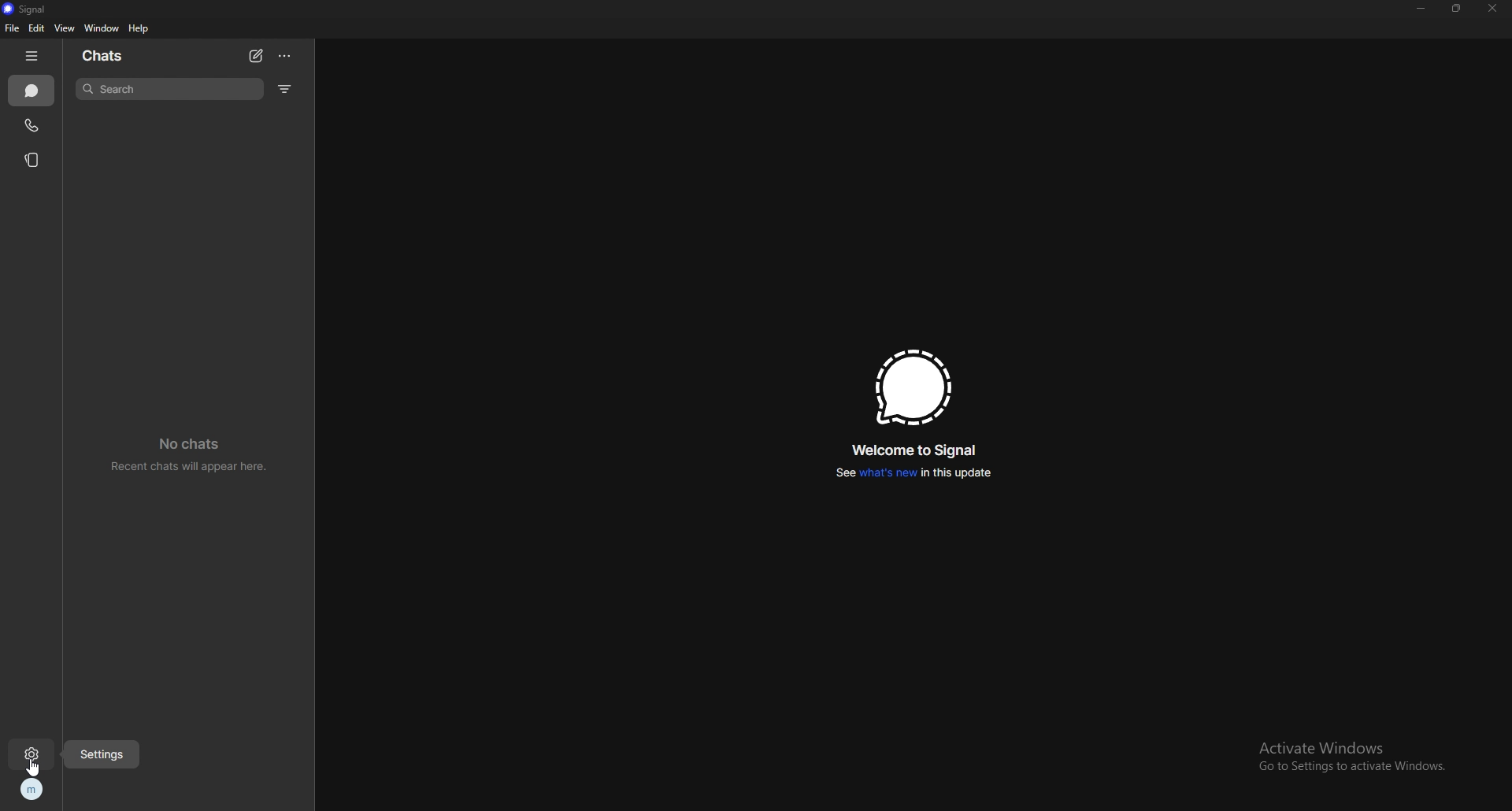 Image resolution: width=1512 pixels, height=811 pixels. What do you see at coordinates (35, 56) in the screenshot?
I see `hide tab` at bounding box center [35, 56].